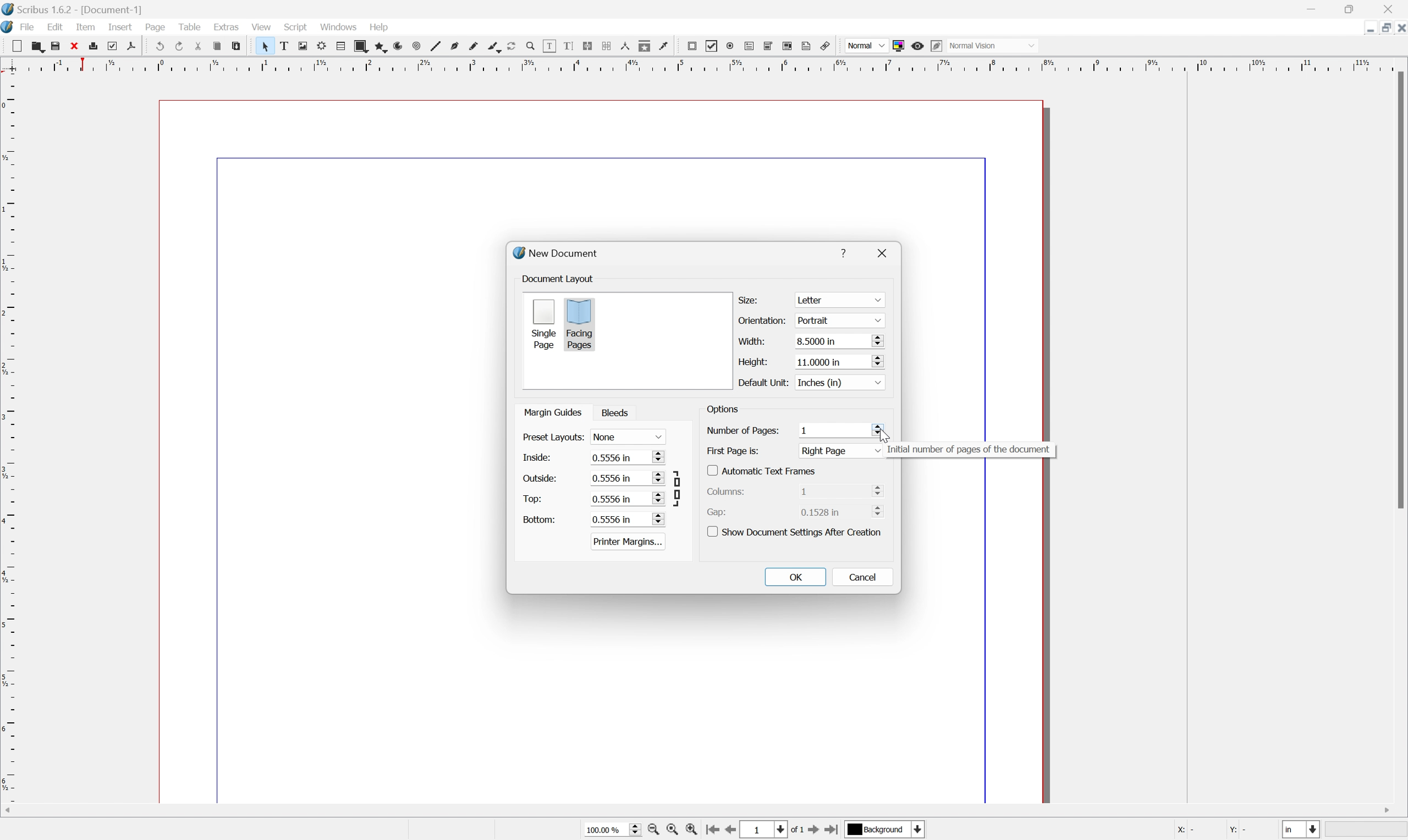 The height and width of the screenshot is (840, 1408). What do you see at coordinates (919, 44) in the screenshot?
I see `Preview mode` at bounding box center [919, 44].